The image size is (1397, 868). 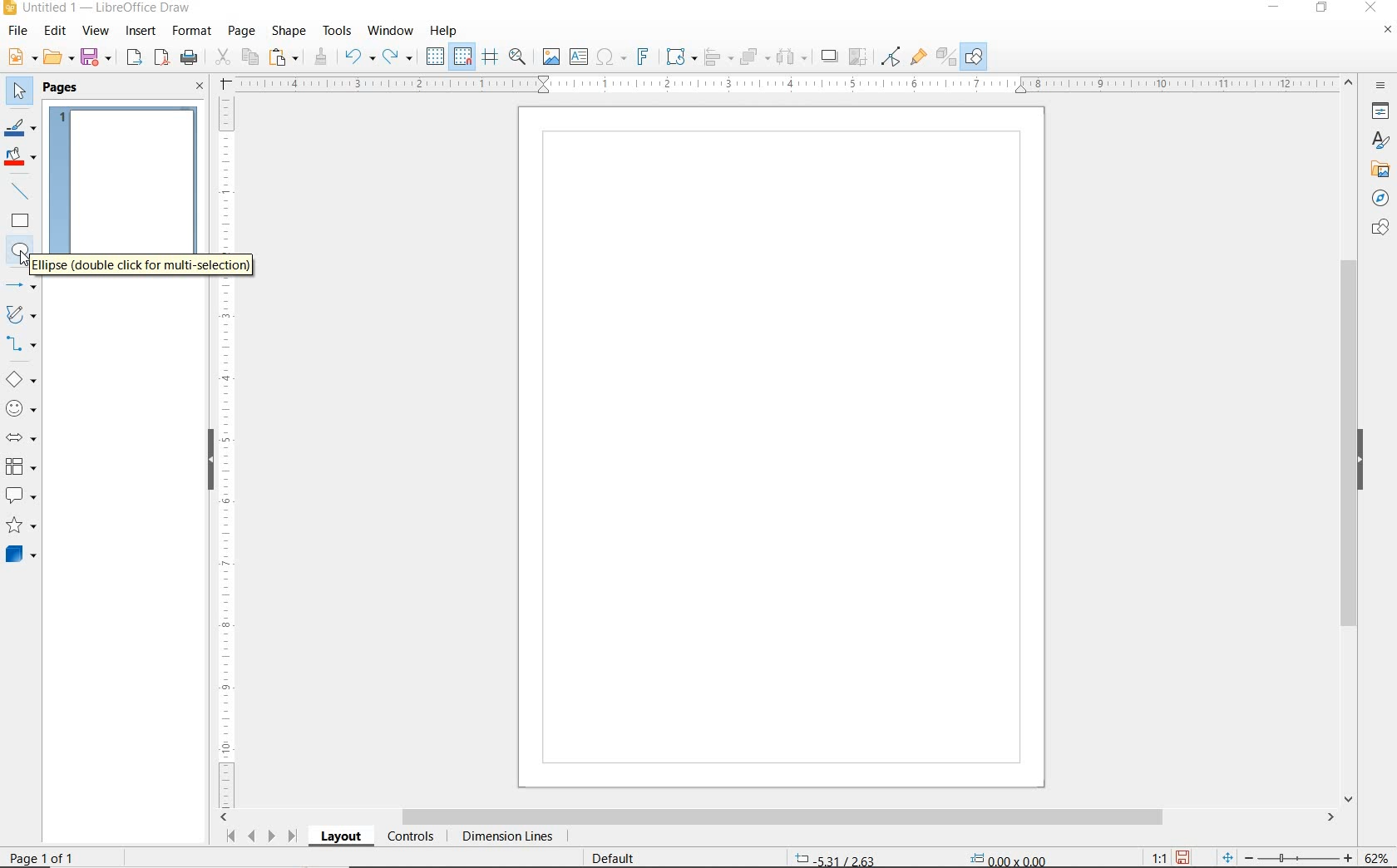 I want to click on NEW, so click(x=20, y=57).